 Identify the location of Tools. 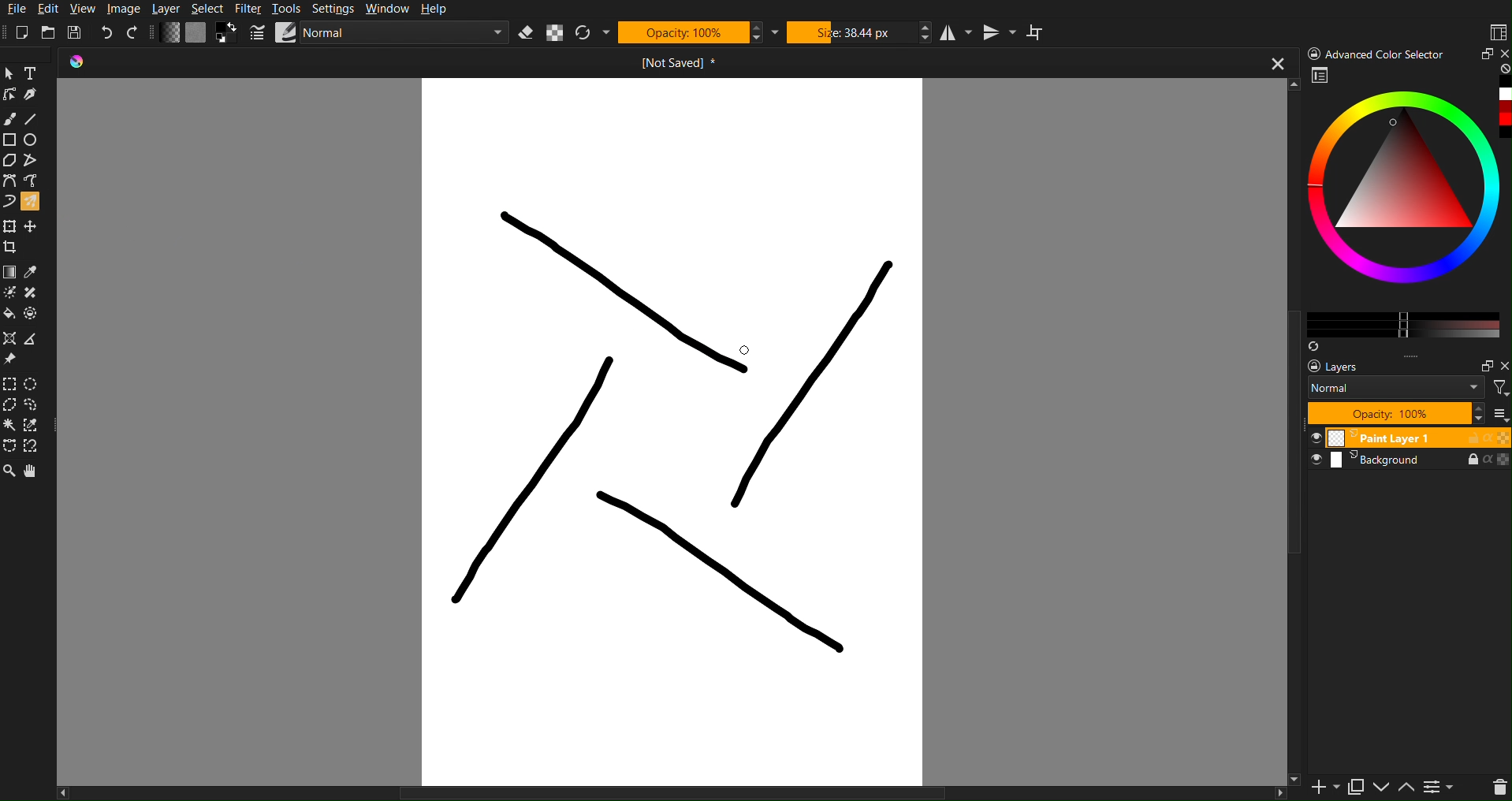
(289, 9).